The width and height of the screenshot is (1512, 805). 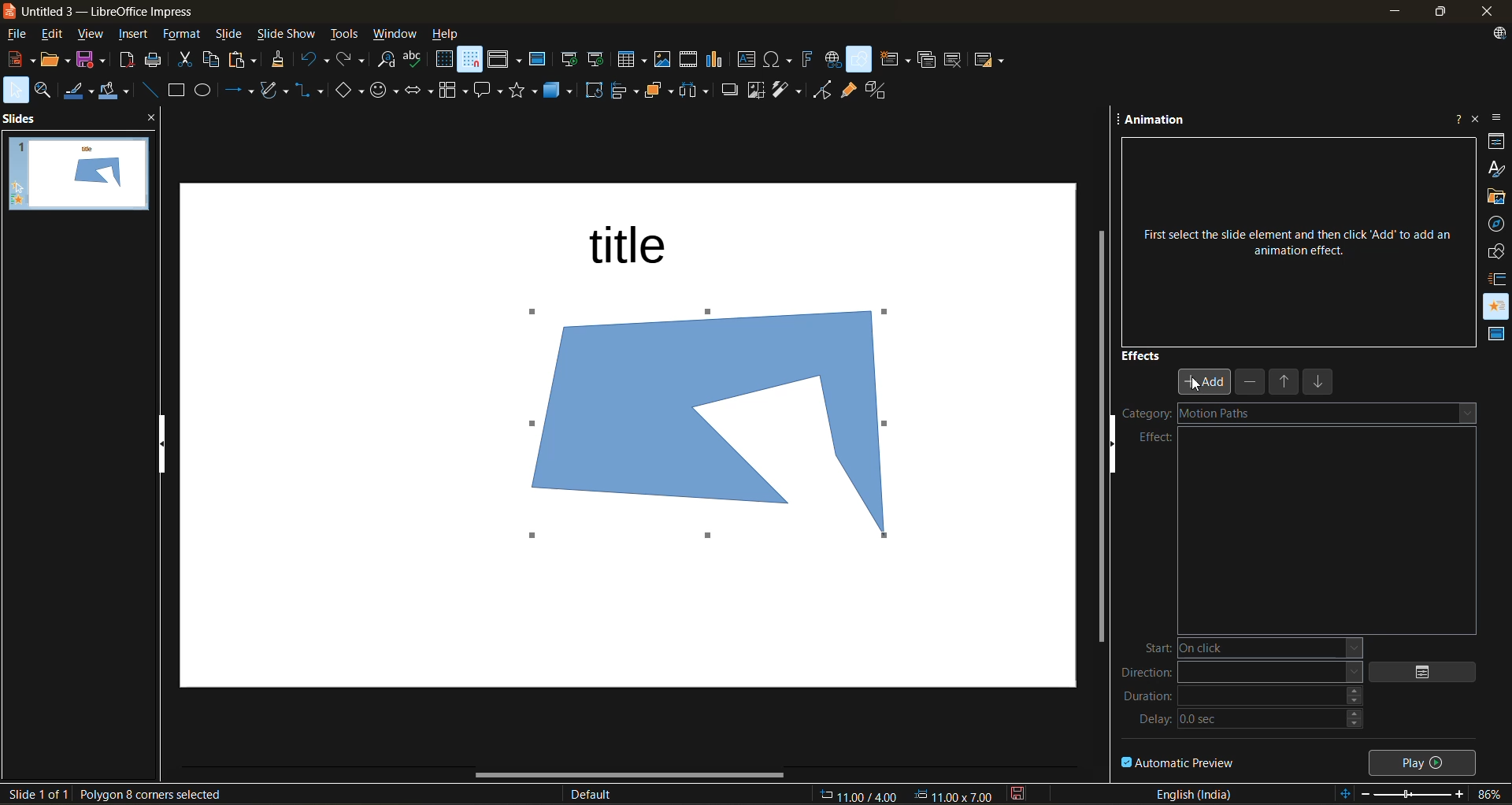 What do you see at coordinates (421, 92) in the screenshot?
I see `block arrows` at bounding box center [421, 92].